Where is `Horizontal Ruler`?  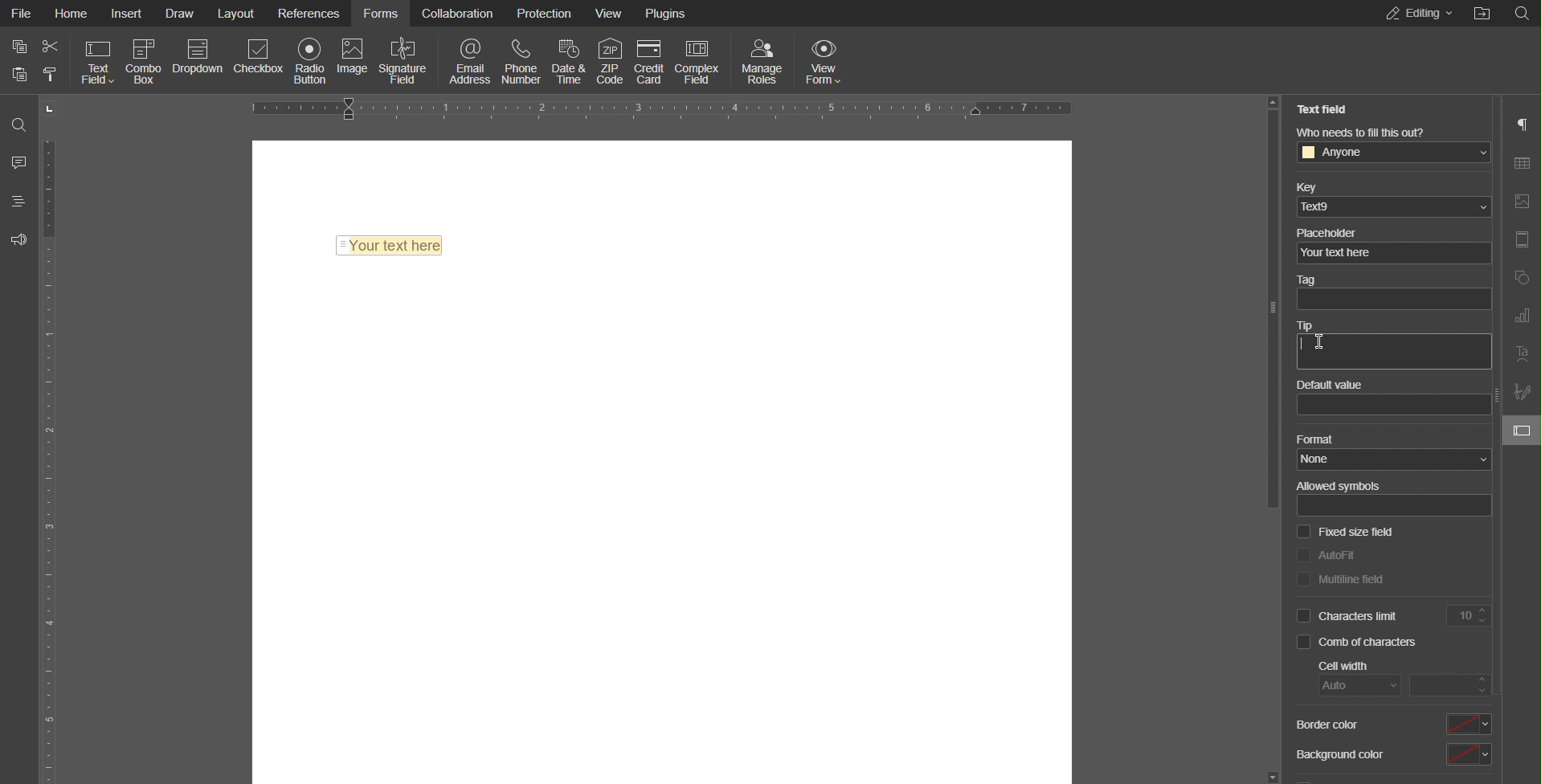 Horizontal Ruler is located at coordinates (663, 109).